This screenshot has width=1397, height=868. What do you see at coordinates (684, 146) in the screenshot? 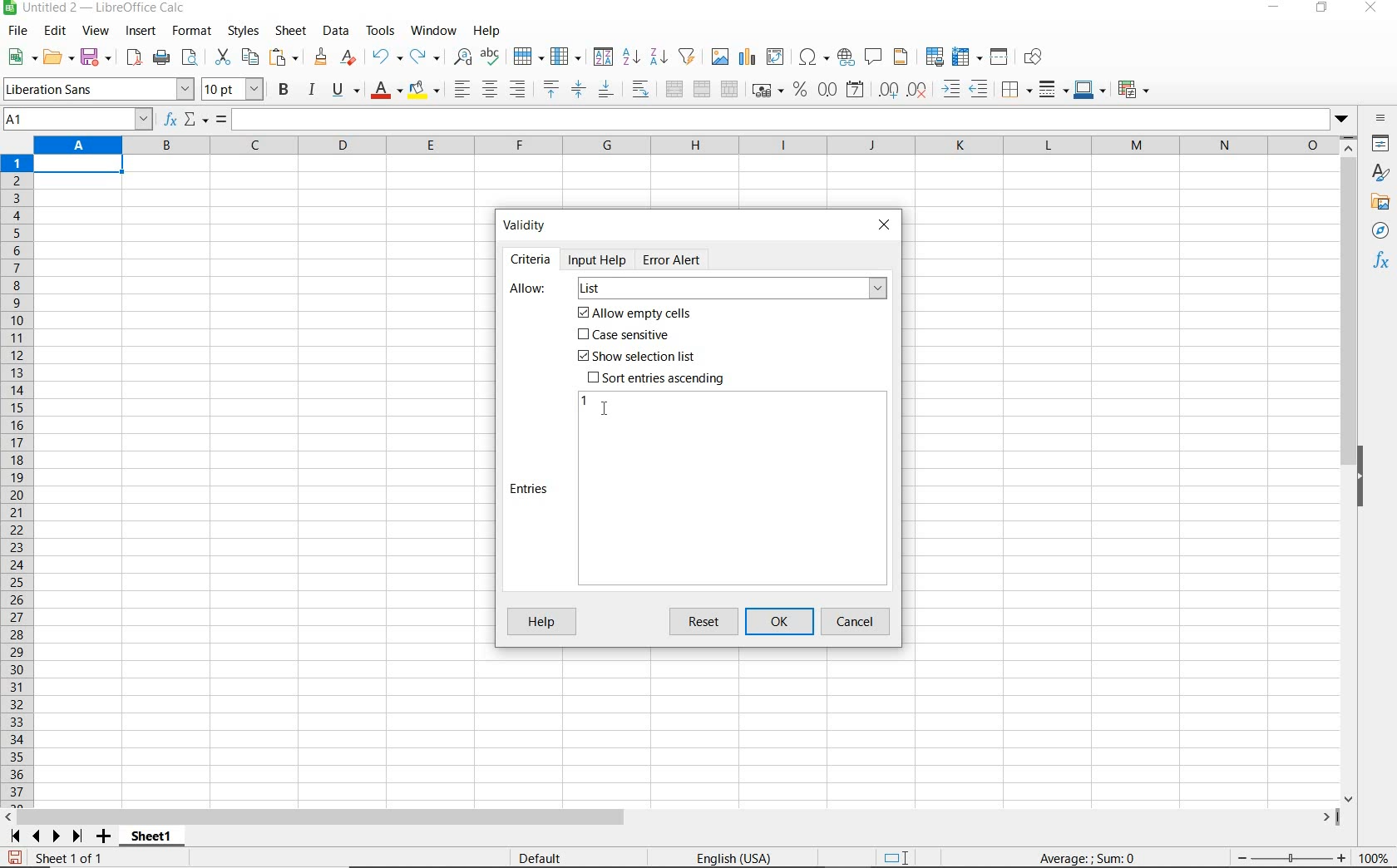
I see `columns` at bounding box center [684, 146].